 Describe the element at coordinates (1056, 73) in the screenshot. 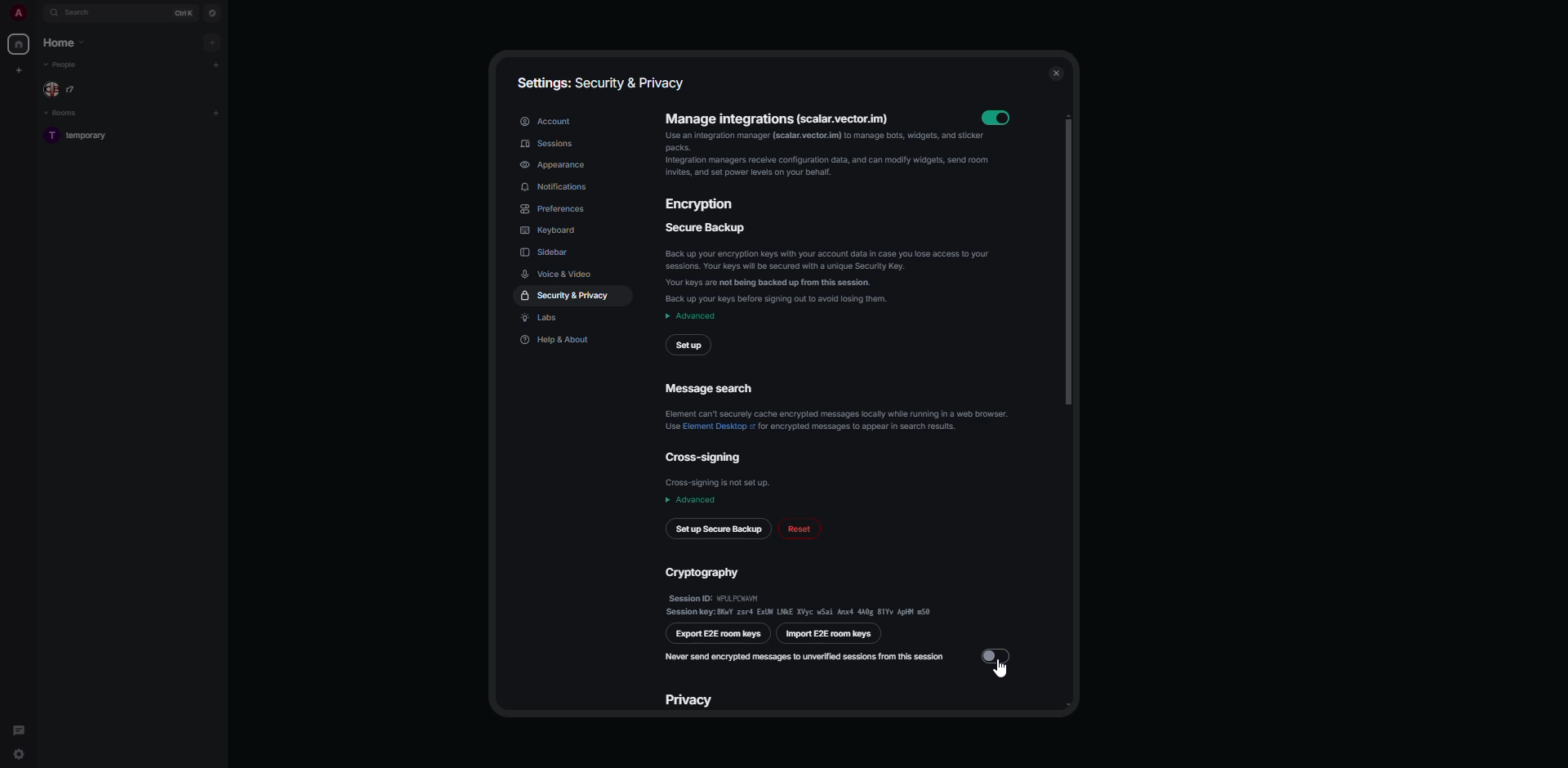

I see `close` at that location.